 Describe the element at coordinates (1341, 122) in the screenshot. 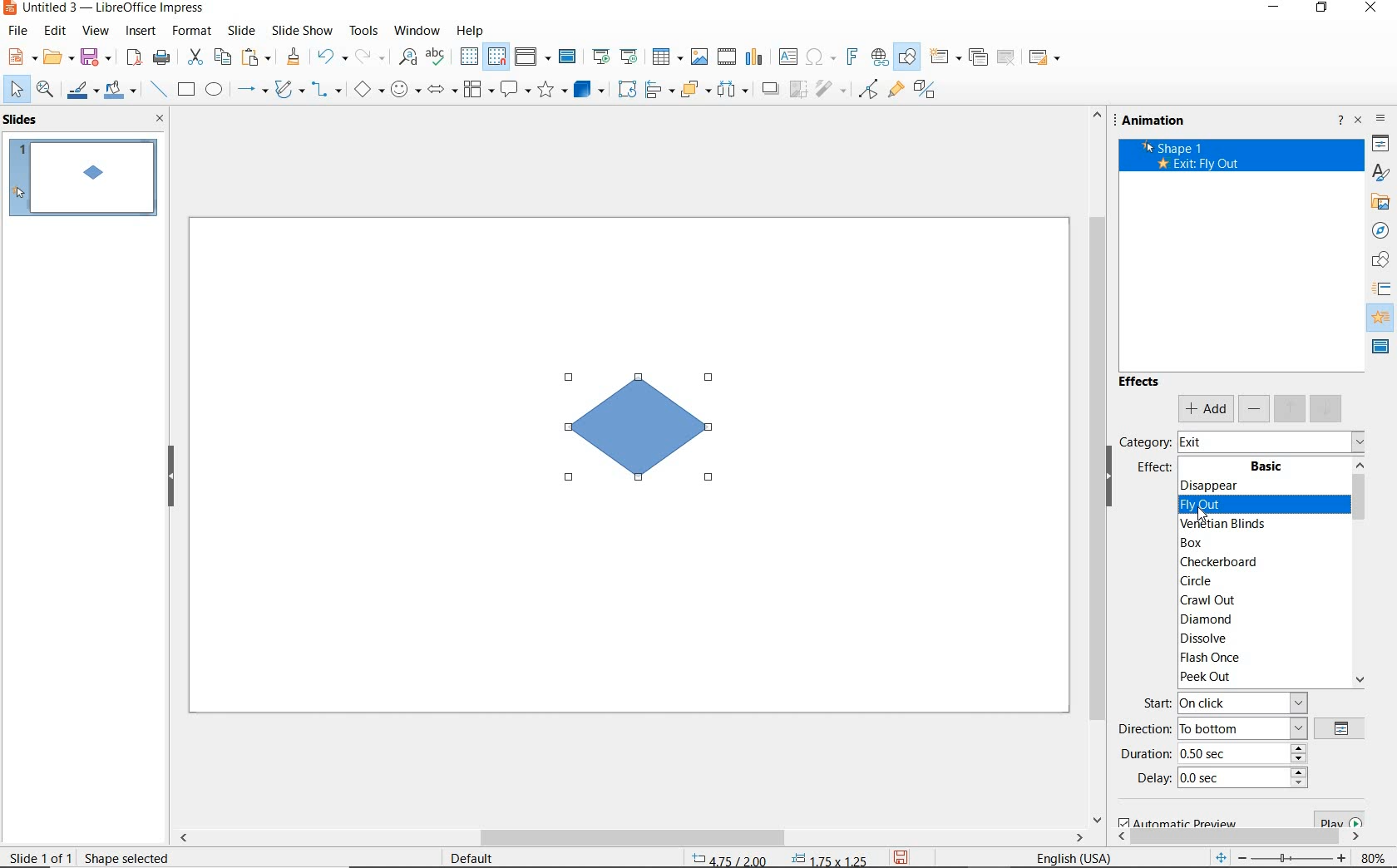

I see `help about this sidebar` at that location.